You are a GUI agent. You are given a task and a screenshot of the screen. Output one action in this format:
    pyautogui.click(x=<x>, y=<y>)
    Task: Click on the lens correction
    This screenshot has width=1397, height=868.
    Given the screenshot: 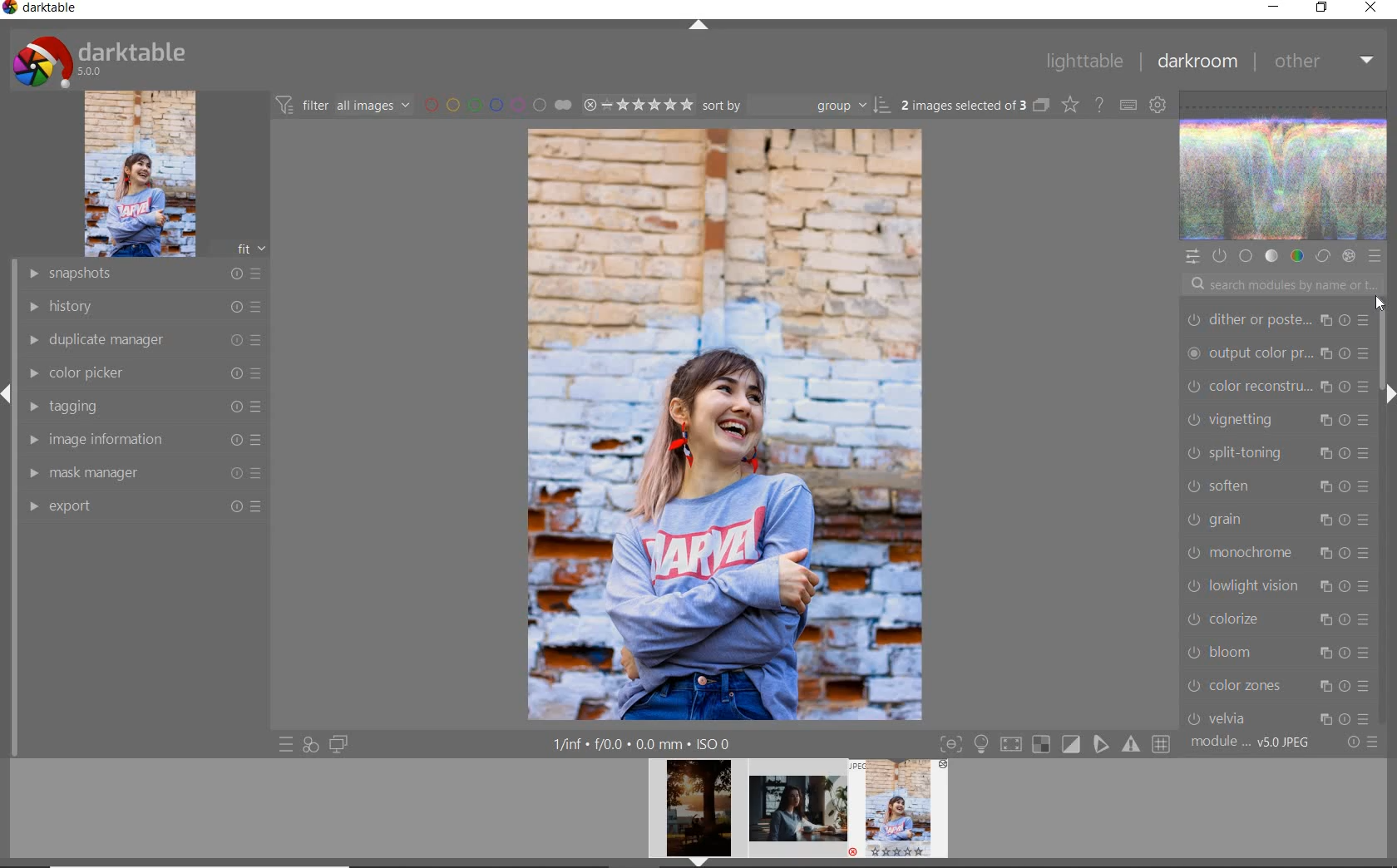 What is the action you would take?
    pyautogui.click(x=1275, y=713)
    